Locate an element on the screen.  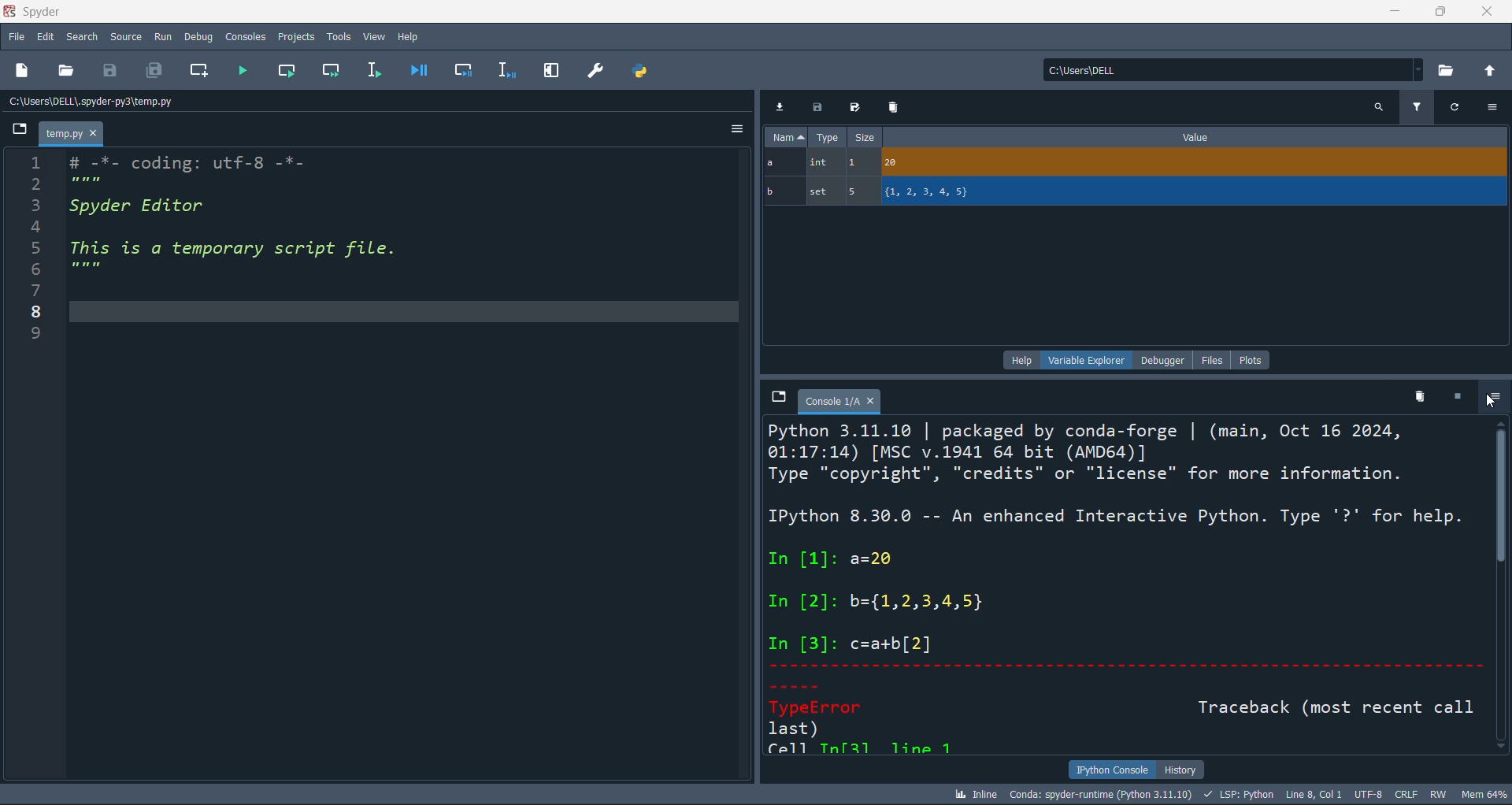
run cell is located at coordinates (293, 72).